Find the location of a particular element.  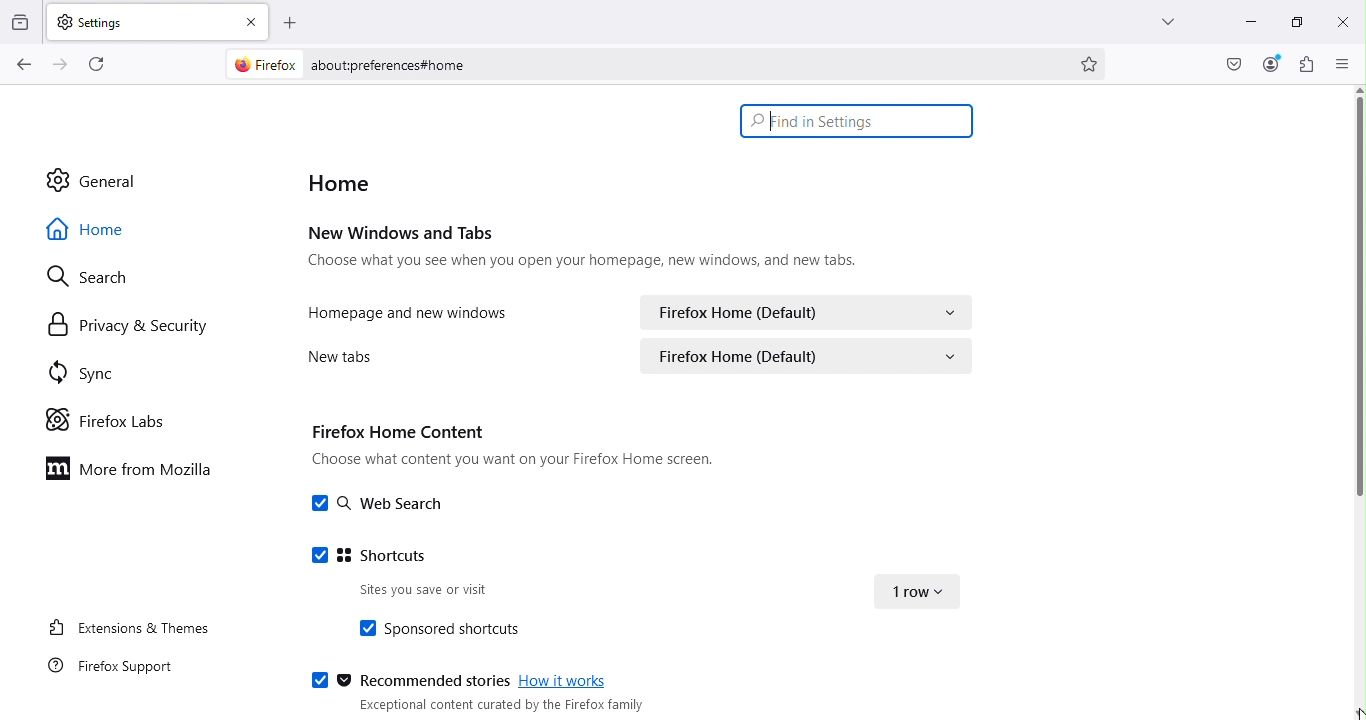

More from mozilla is located at coordinates (135, 474).